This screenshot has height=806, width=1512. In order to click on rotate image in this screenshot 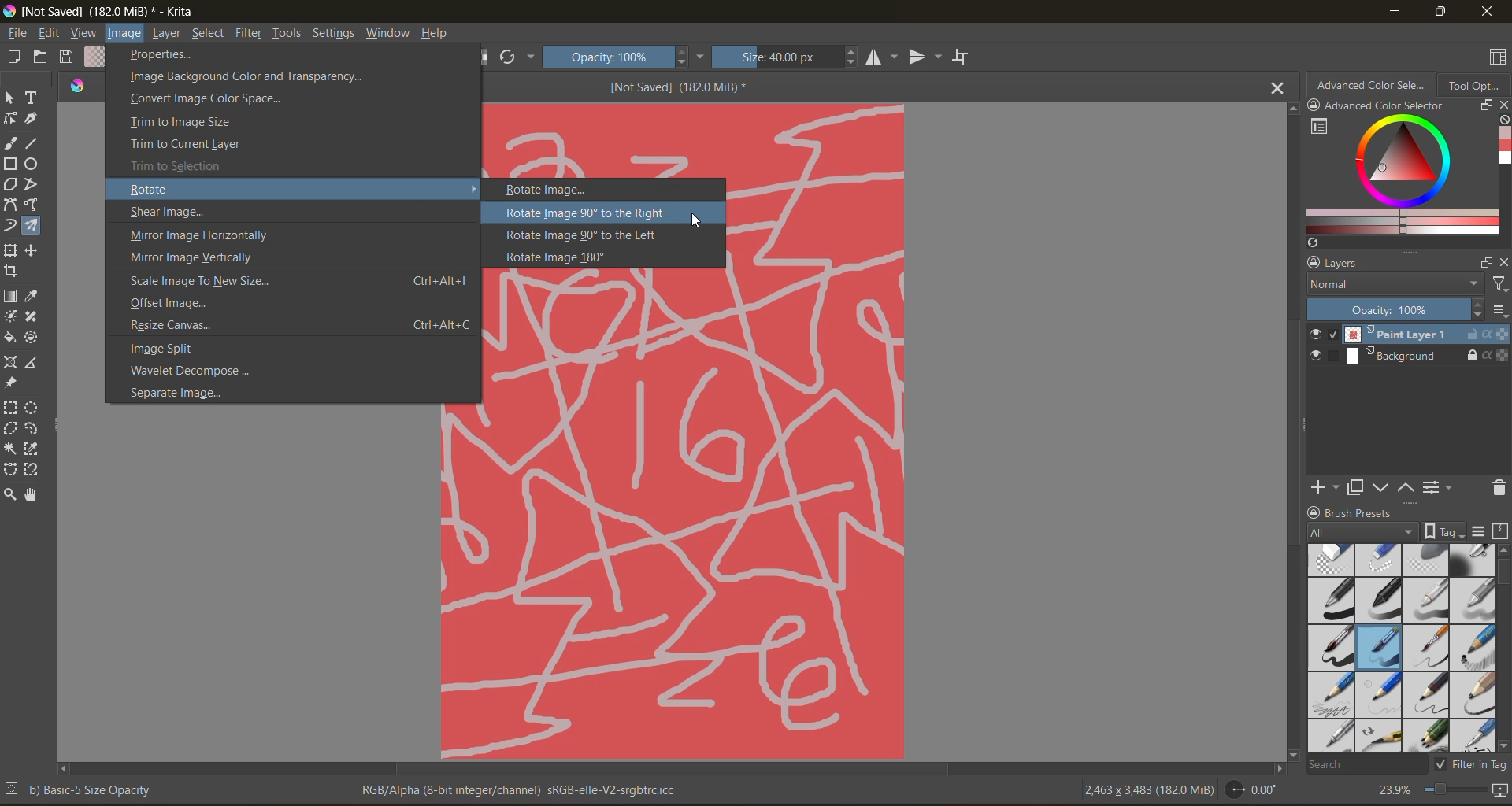, I will do `click(553, 190)`.